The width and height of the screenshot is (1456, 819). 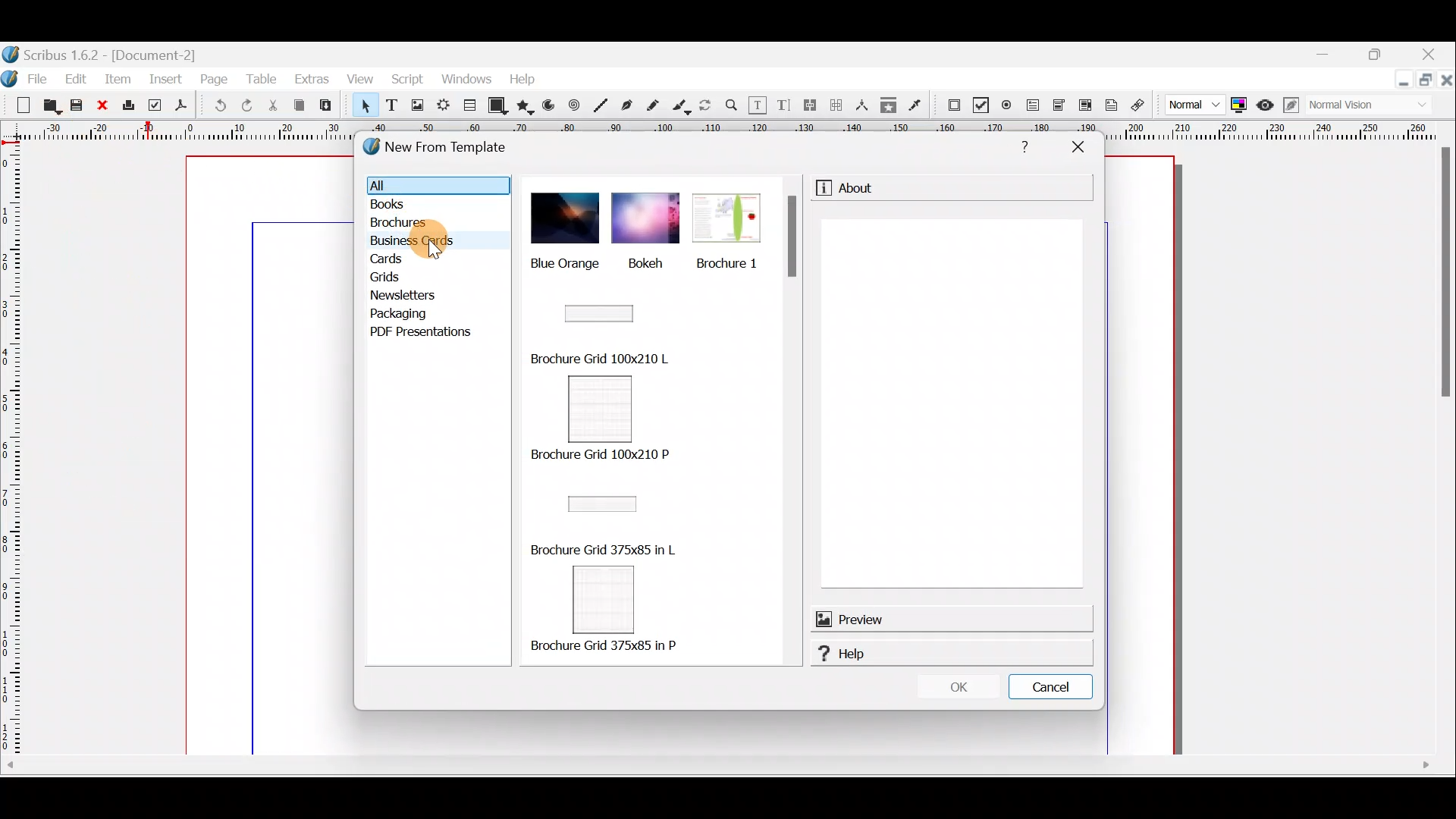 I want to click on Unlink text frames, so click(x=836, y=105).